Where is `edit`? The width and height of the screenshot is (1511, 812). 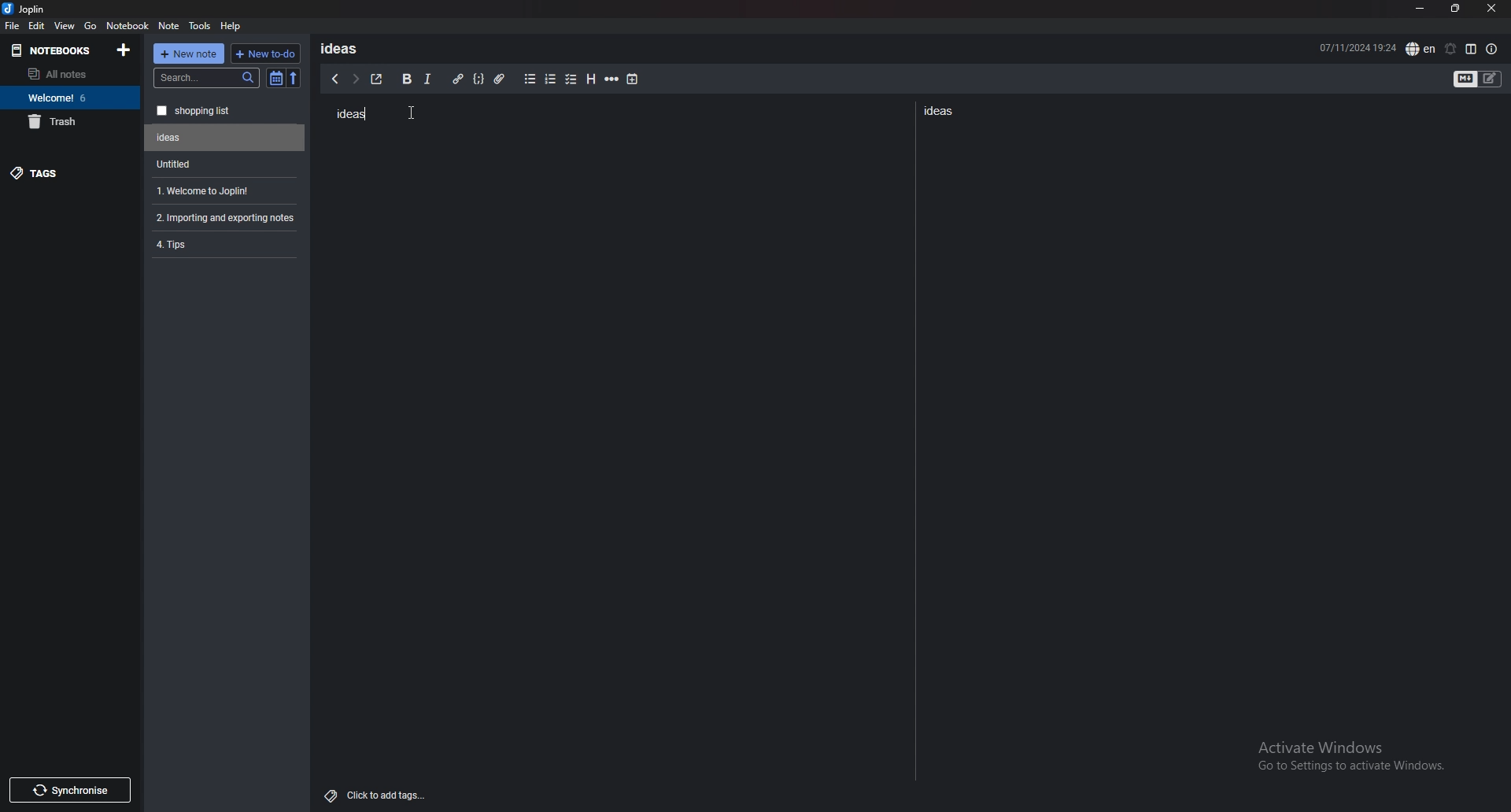
edit is located at coordinates (36, 26).